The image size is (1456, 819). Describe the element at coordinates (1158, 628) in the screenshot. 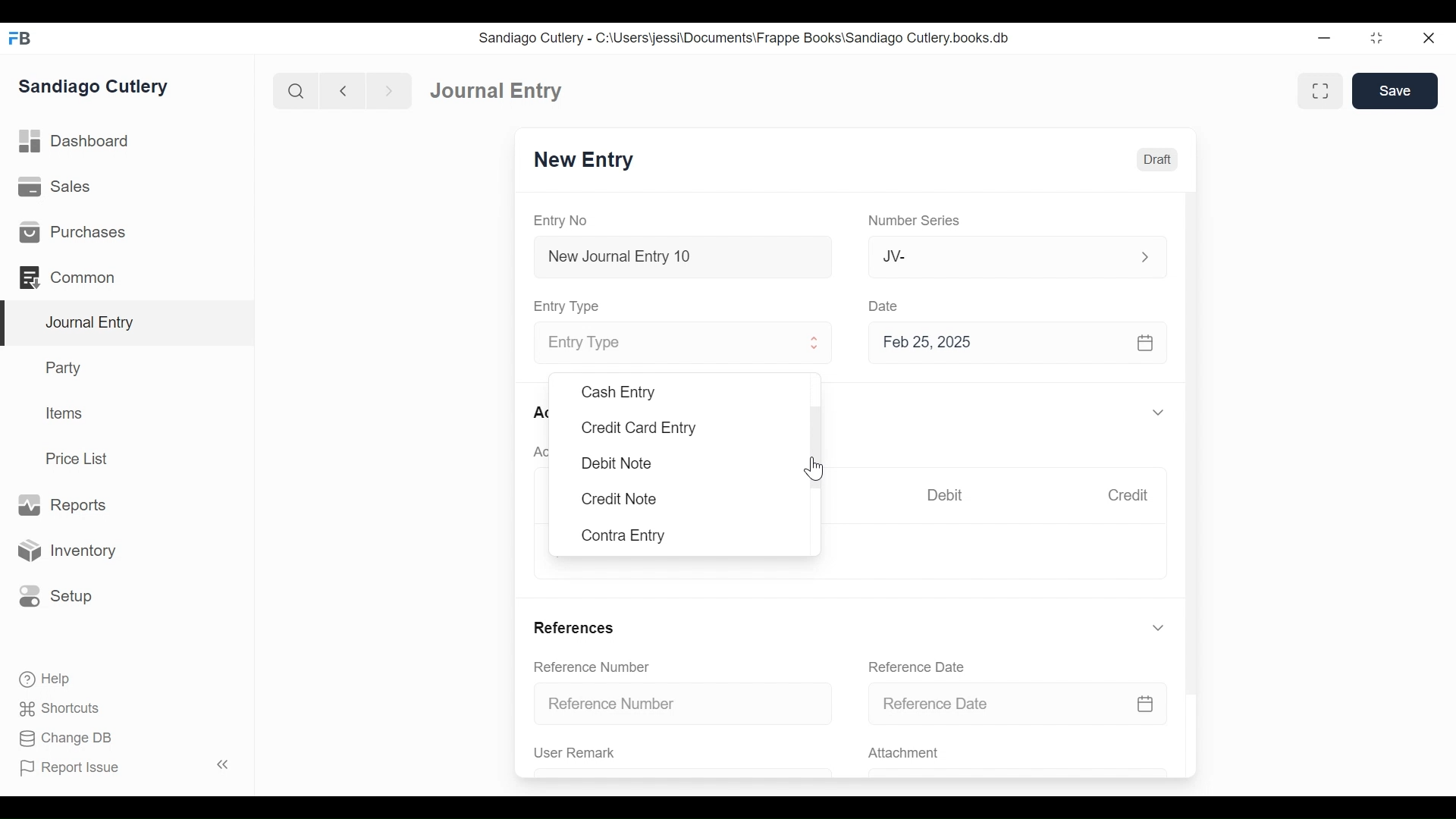

I see `Expand` at that location.